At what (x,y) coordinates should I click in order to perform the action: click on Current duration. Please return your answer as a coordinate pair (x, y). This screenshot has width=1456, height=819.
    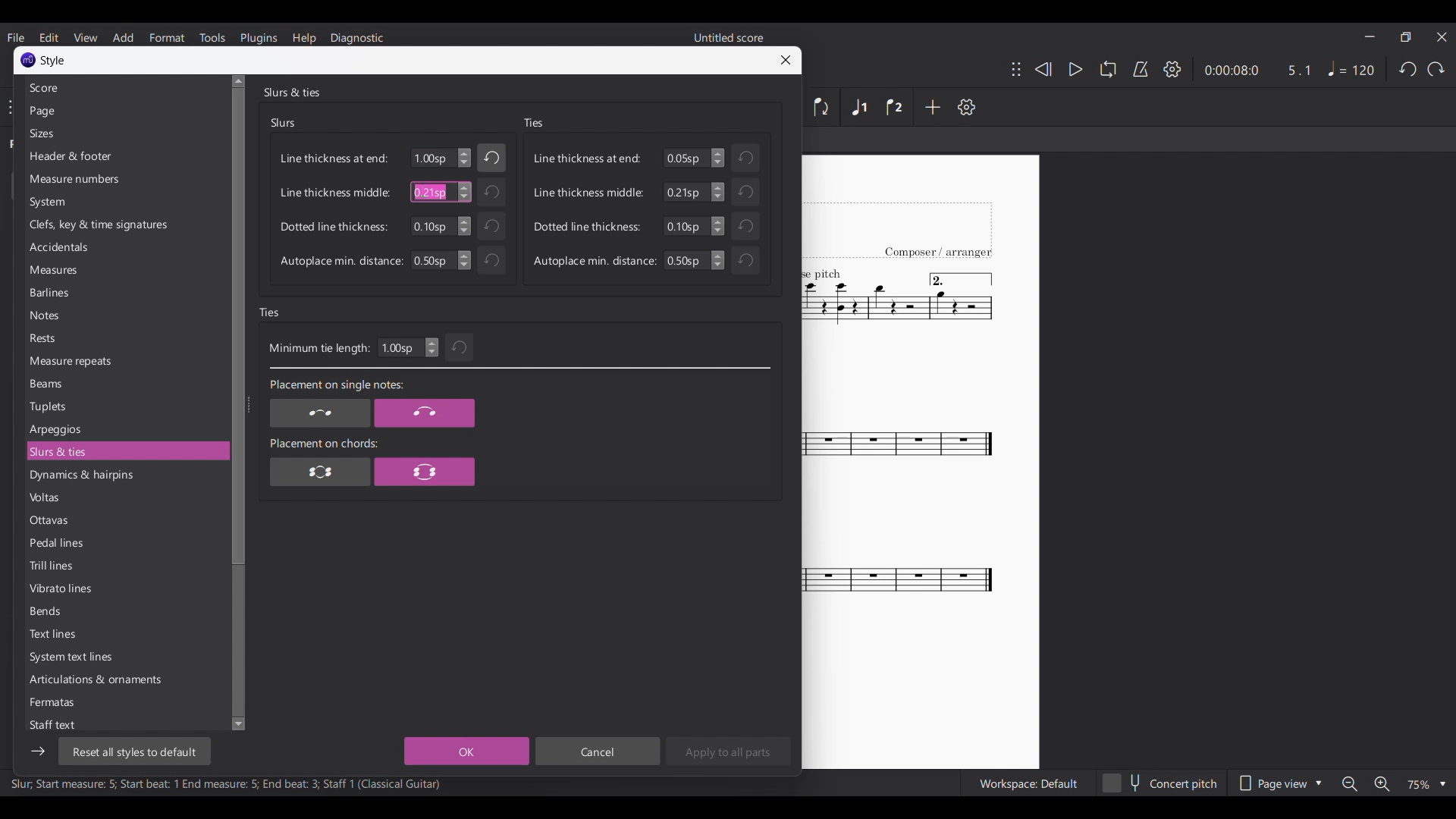
    Looking at the image, I should click on (1229, 70).